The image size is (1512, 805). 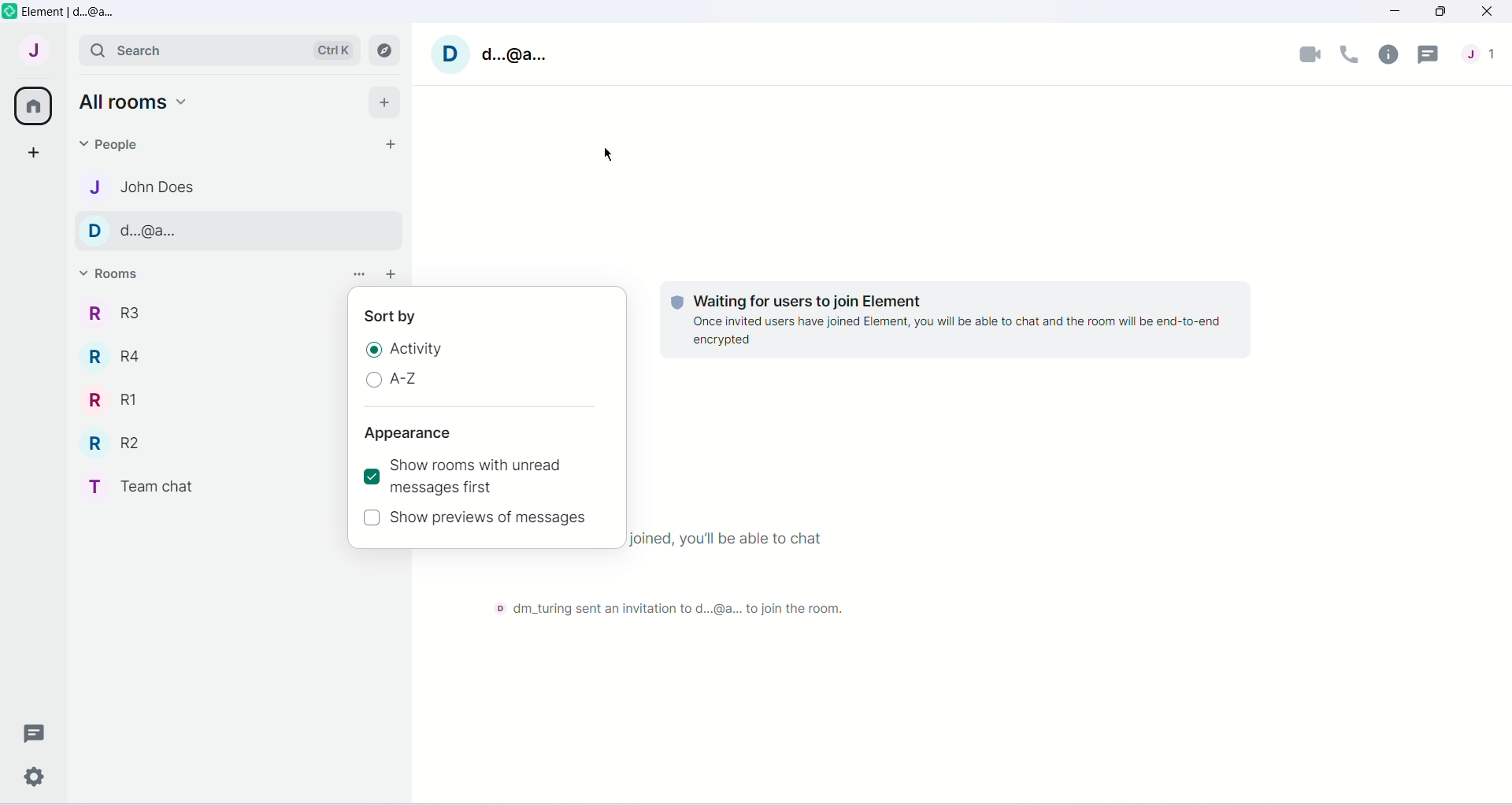 What do you see at coordinates (150, 486) in the screenshot?
I see `Room Name-team chat` at bounding box center [150, 486].